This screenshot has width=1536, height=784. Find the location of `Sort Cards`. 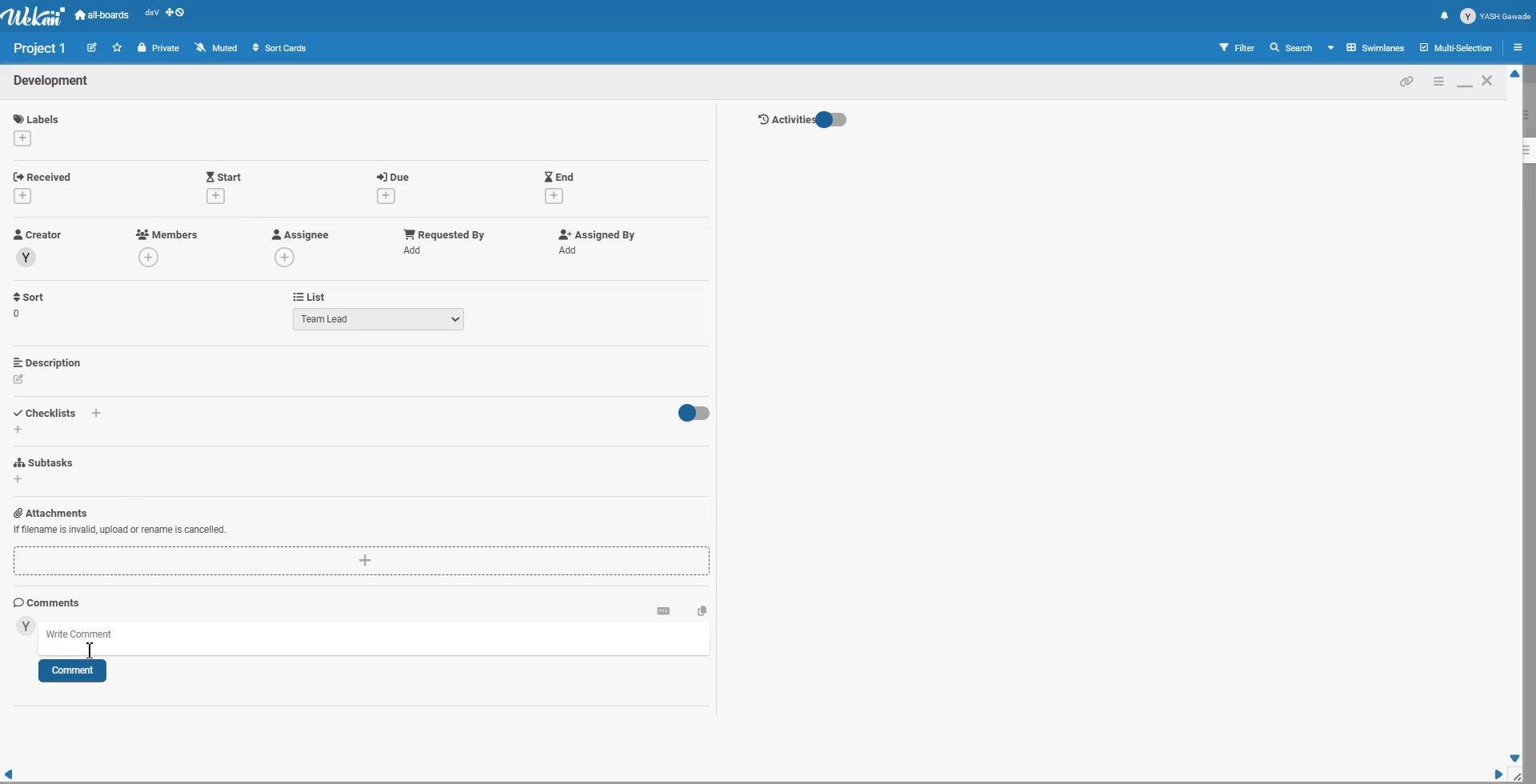

Sort Cards is located at coordinates (279, 47).